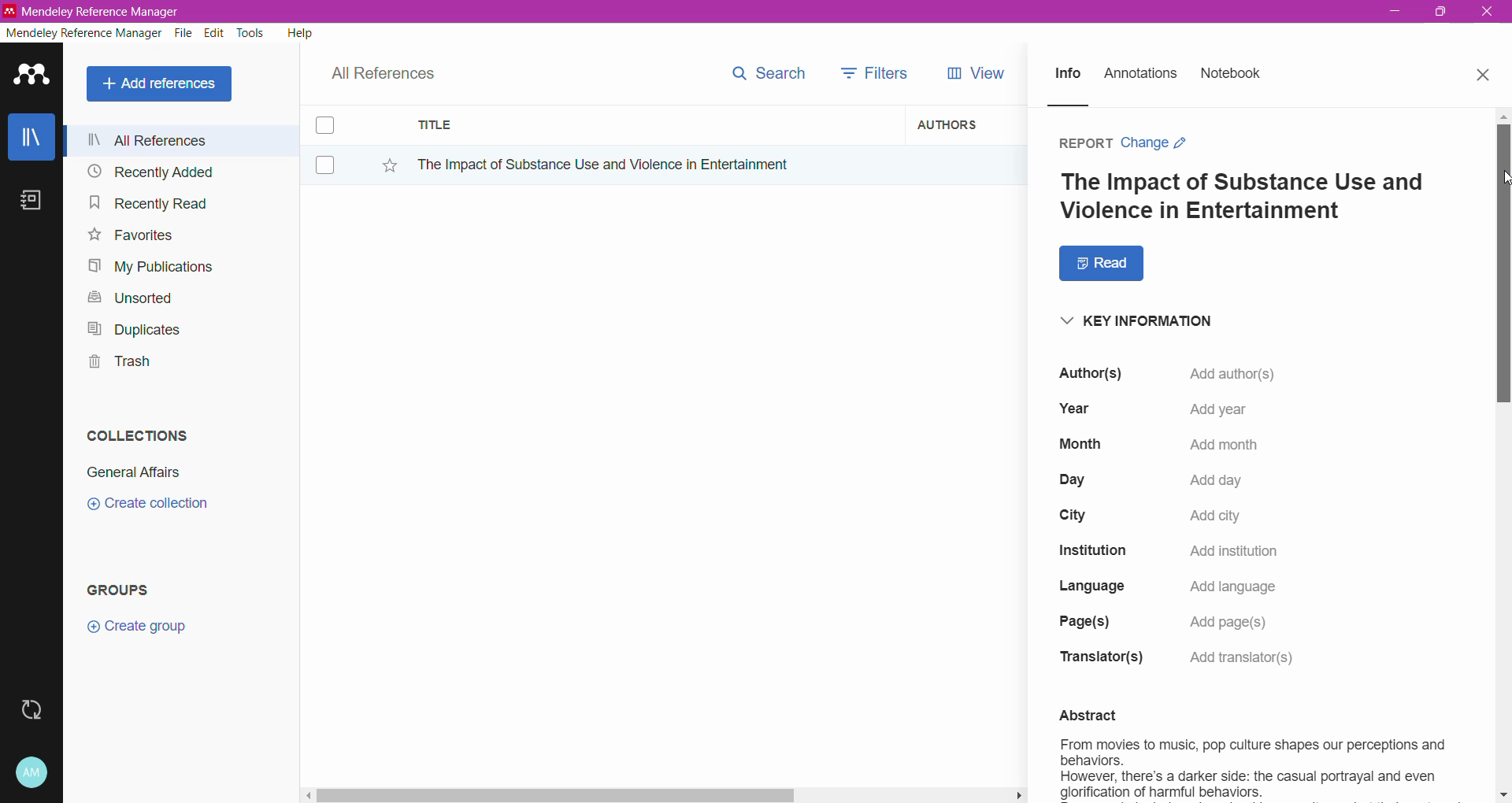 This screenshot has height=803, width=1512. What do you see at coordinates (1243, 749) in the screenshot?
I see `abstract` at bounding box center [1243, 749].